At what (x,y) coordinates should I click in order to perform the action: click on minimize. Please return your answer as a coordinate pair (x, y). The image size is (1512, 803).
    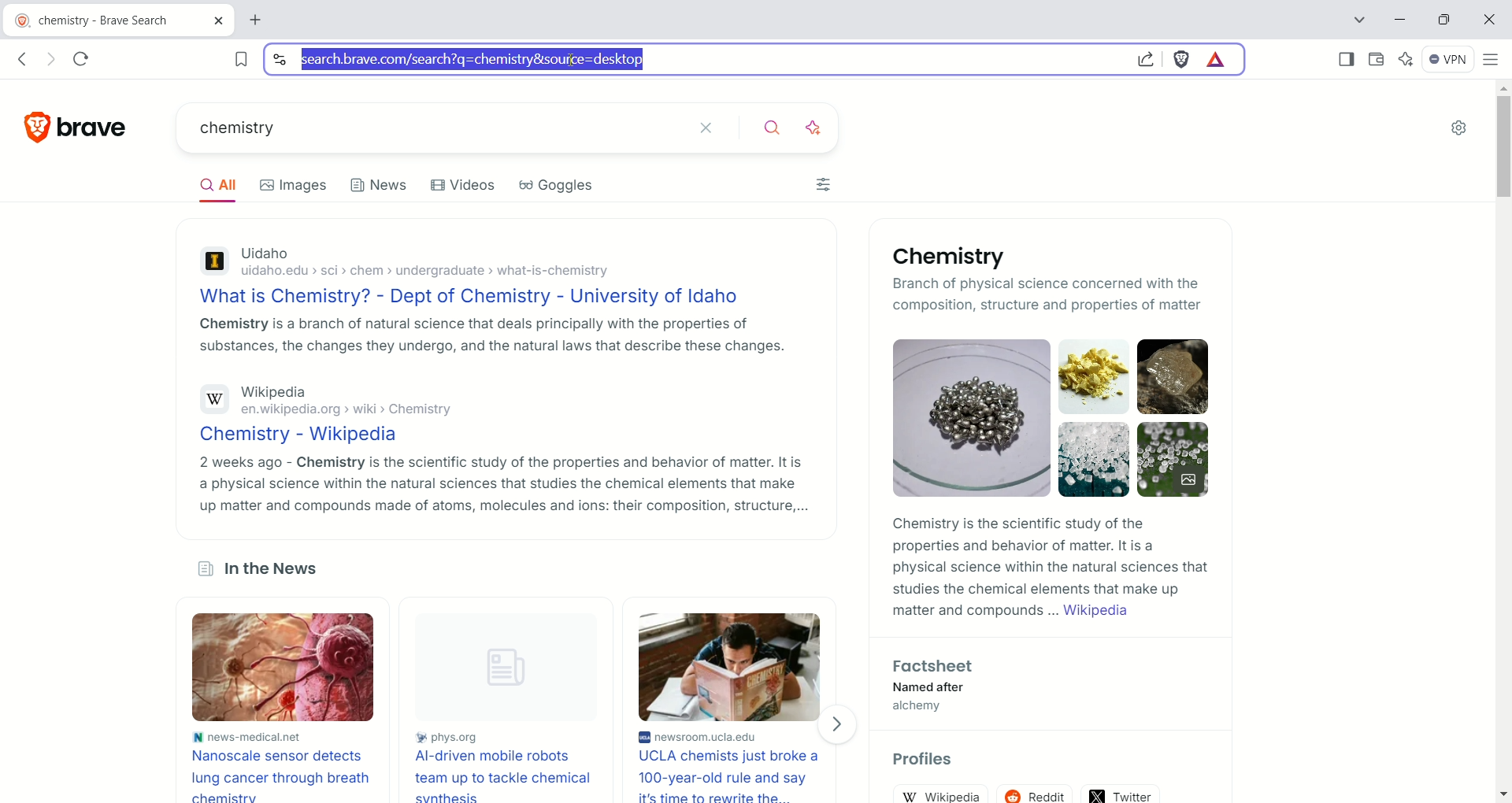
    Looking at the image, I should click on (1400, 18).